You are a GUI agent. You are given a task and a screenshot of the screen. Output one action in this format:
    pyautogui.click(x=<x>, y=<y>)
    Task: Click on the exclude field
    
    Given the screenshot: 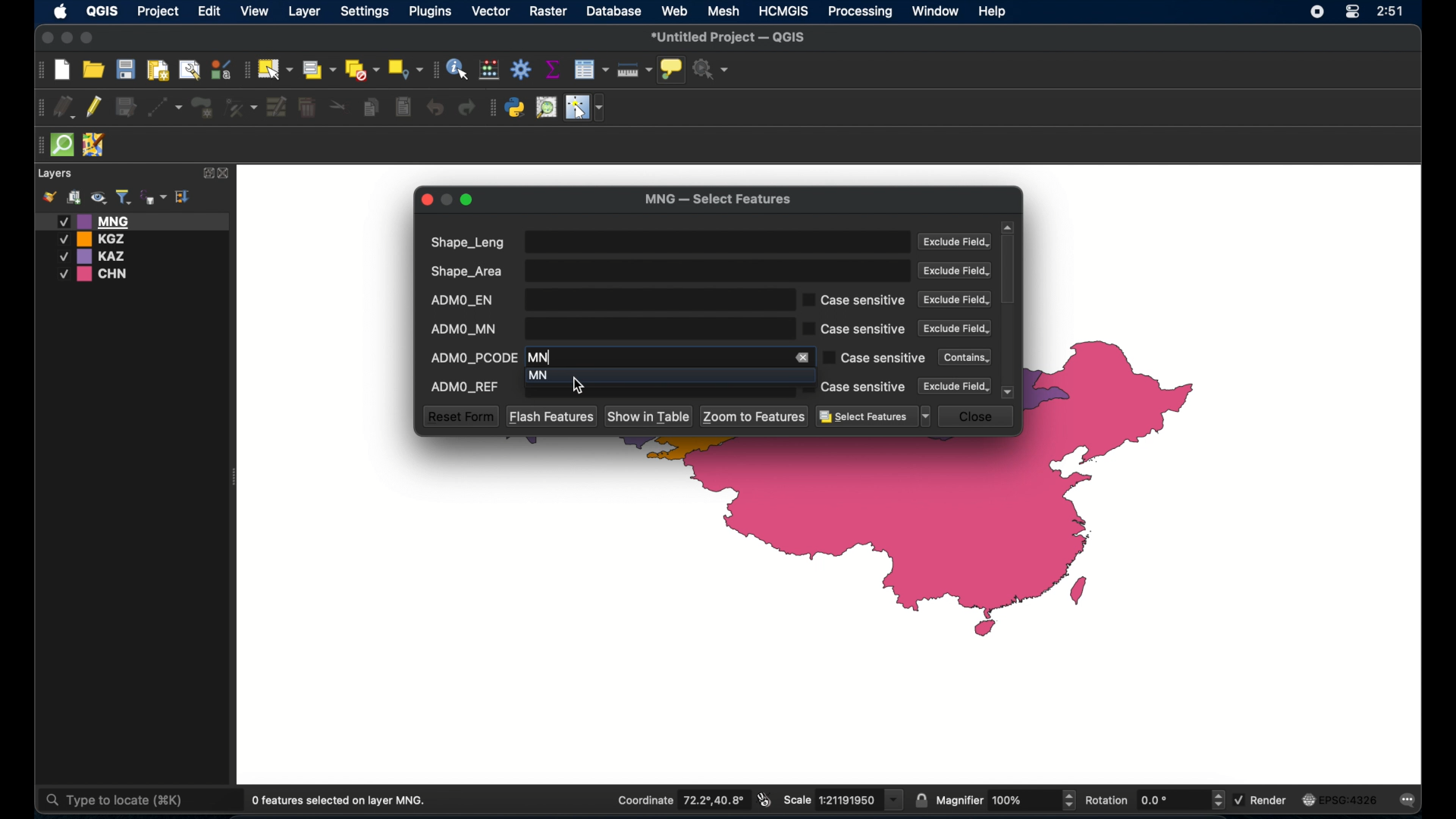 What is the action you would take?
    pyautogui.click(x=955, y=271)
    